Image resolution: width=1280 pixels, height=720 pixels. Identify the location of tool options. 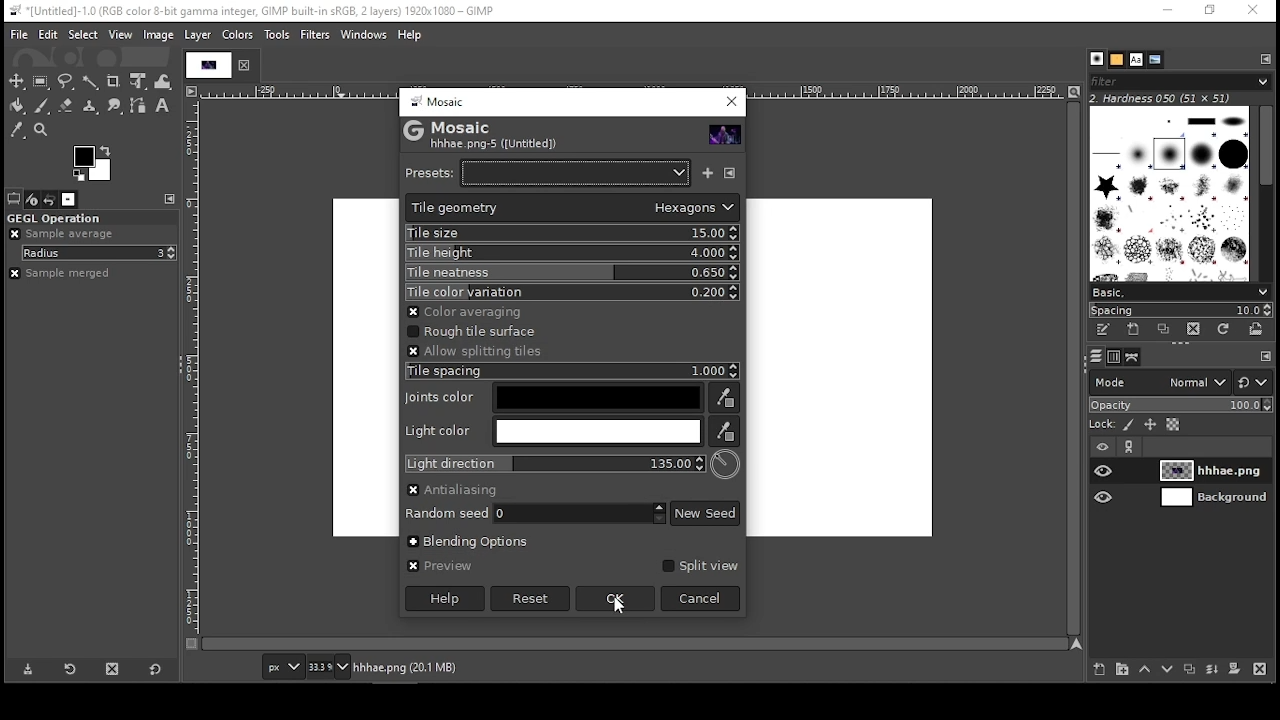
(14, 198).